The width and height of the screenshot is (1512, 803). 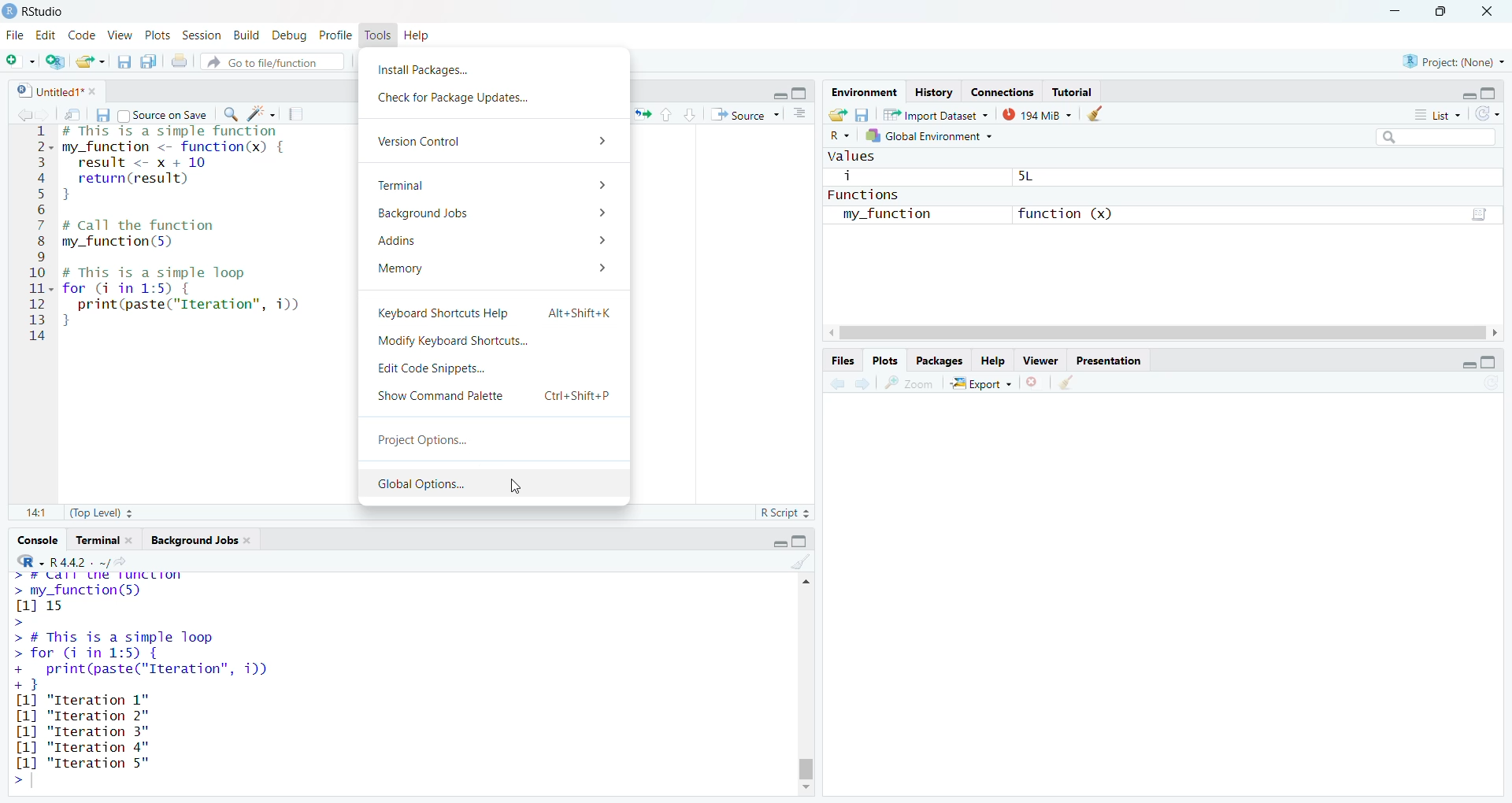 What do you see at coordinates (495, 313) in the screenshot?
I see `Keyboard Shortcuts Help Alt=Shift=K` at bounding box center [495, 313].